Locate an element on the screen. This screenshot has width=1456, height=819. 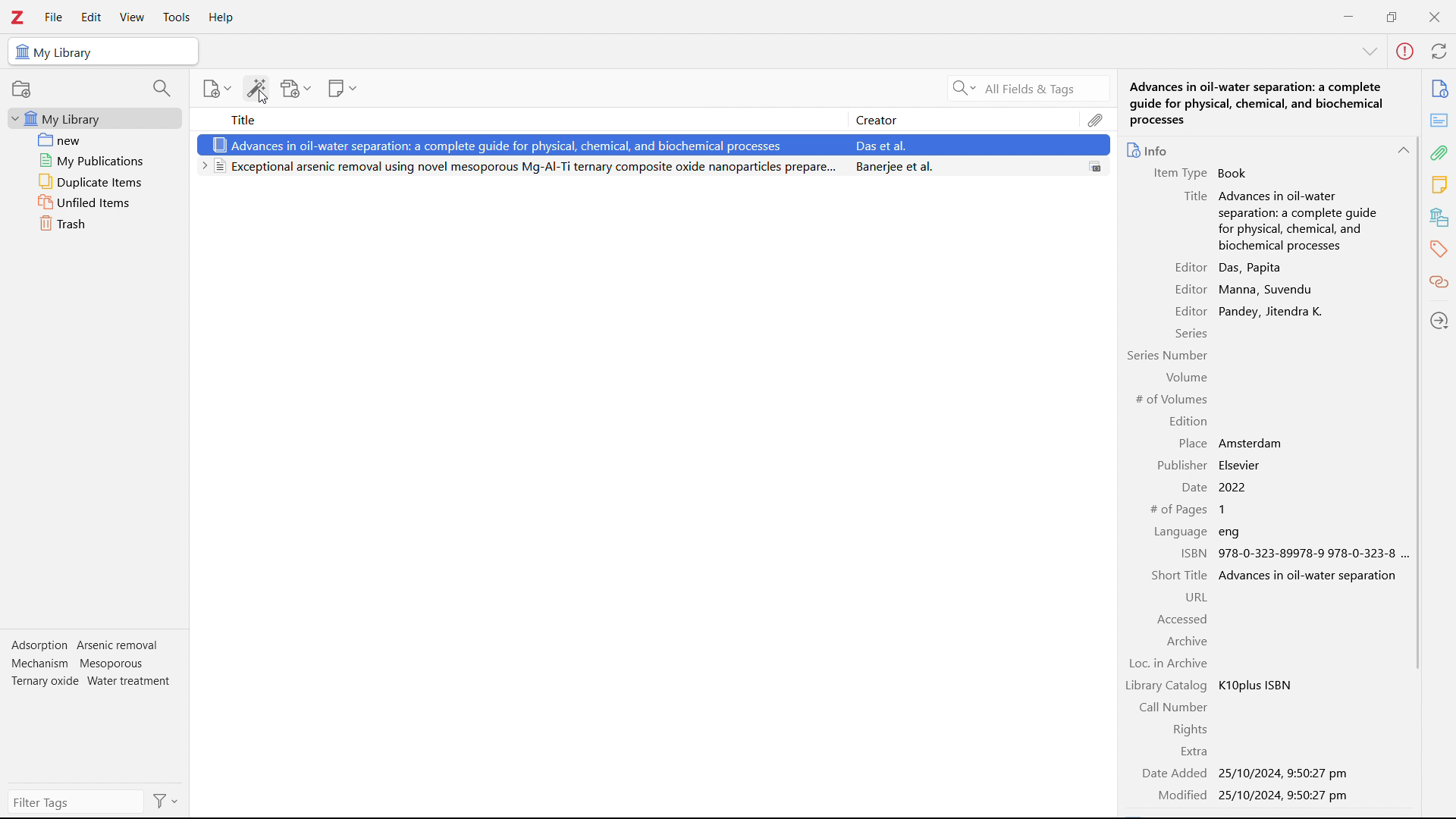
book is located at coordinates (1236, 173).